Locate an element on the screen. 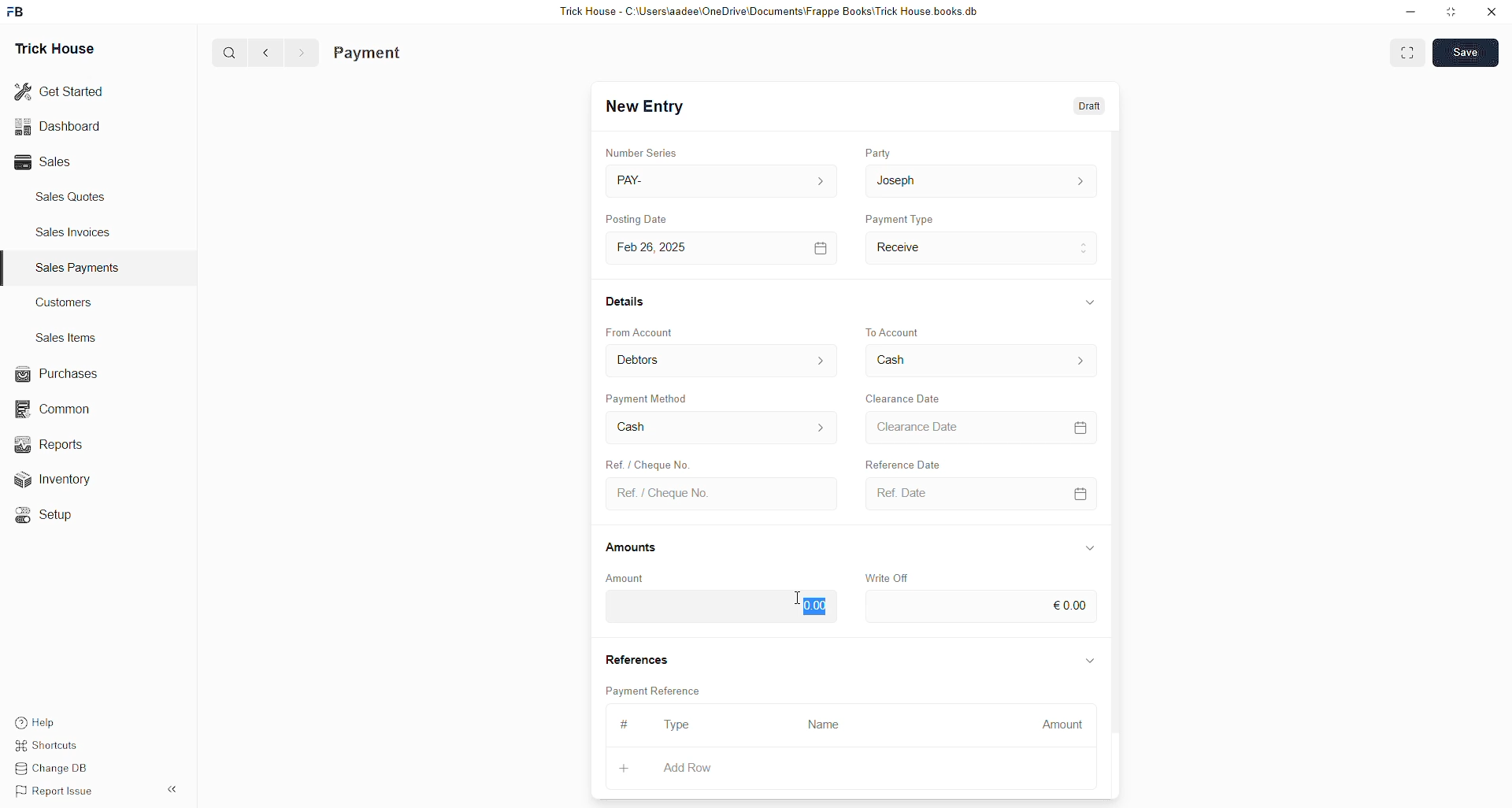  Number Series is located at coordinates (642, 152).